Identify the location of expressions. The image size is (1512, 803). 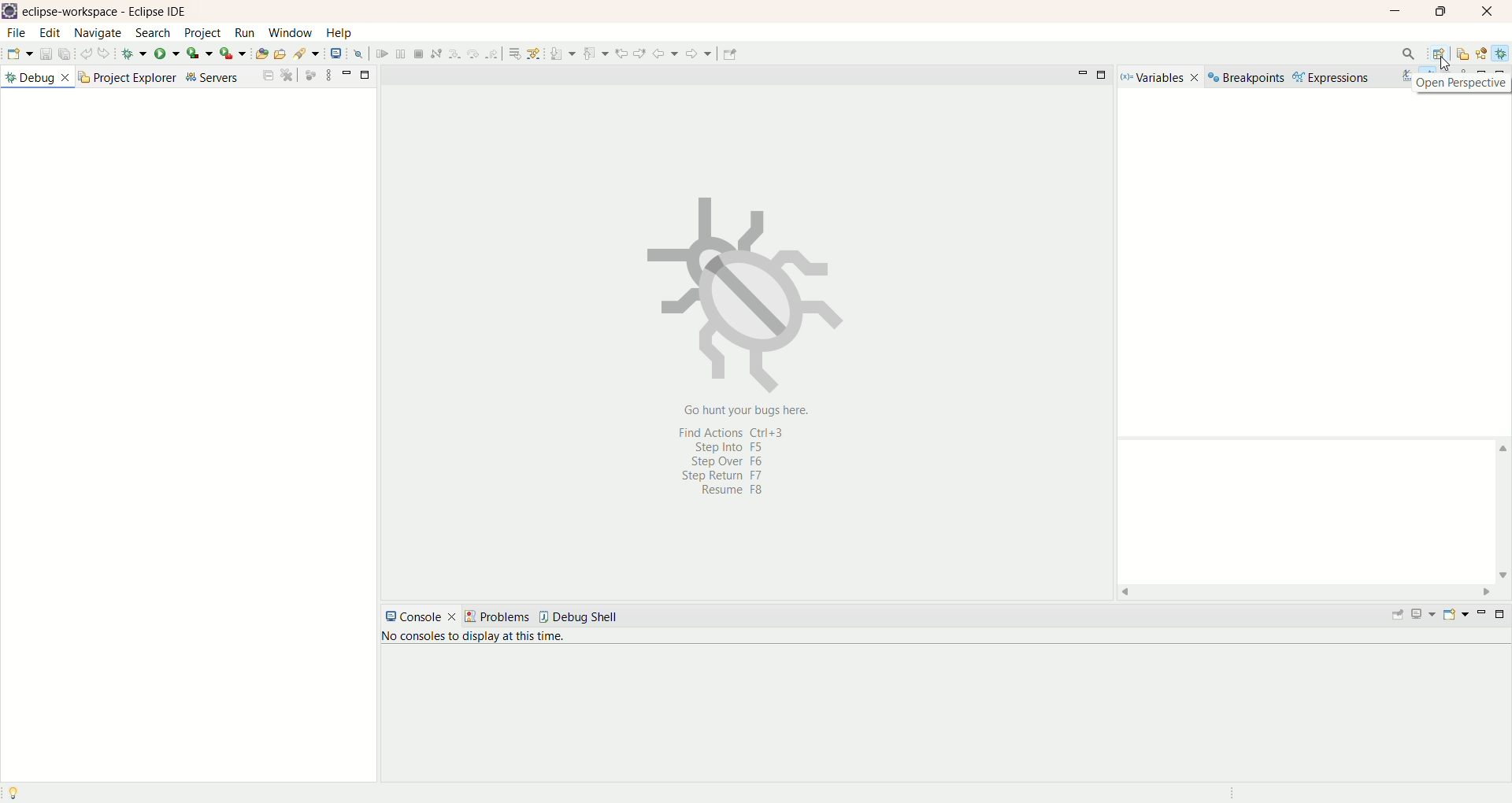
(1333, 80).